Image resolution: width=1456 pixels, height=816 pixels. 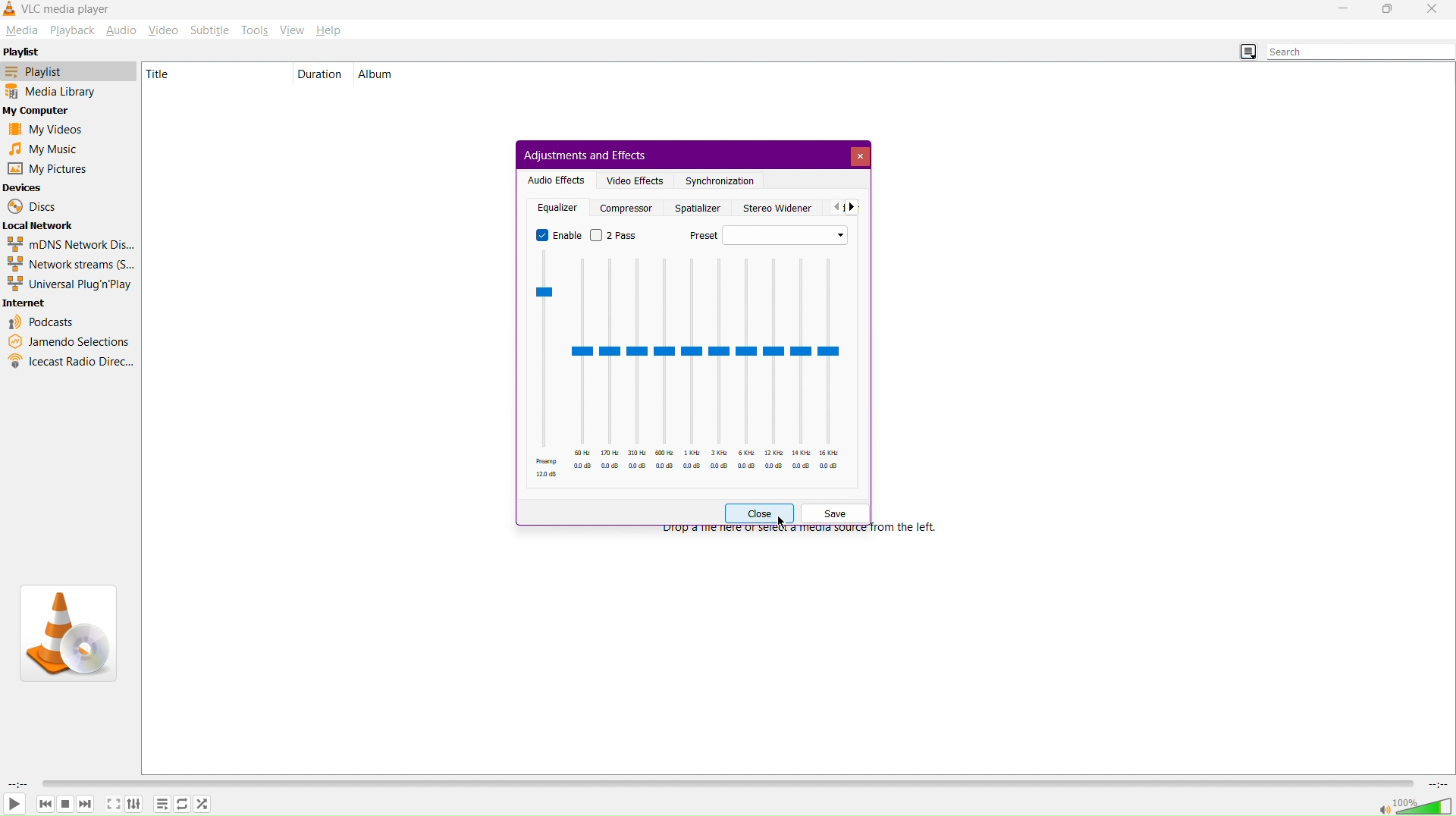 What do you see at coordinates (547, 366) in the screenshot?
I see `Preamp` at bounding box center [547, 366].